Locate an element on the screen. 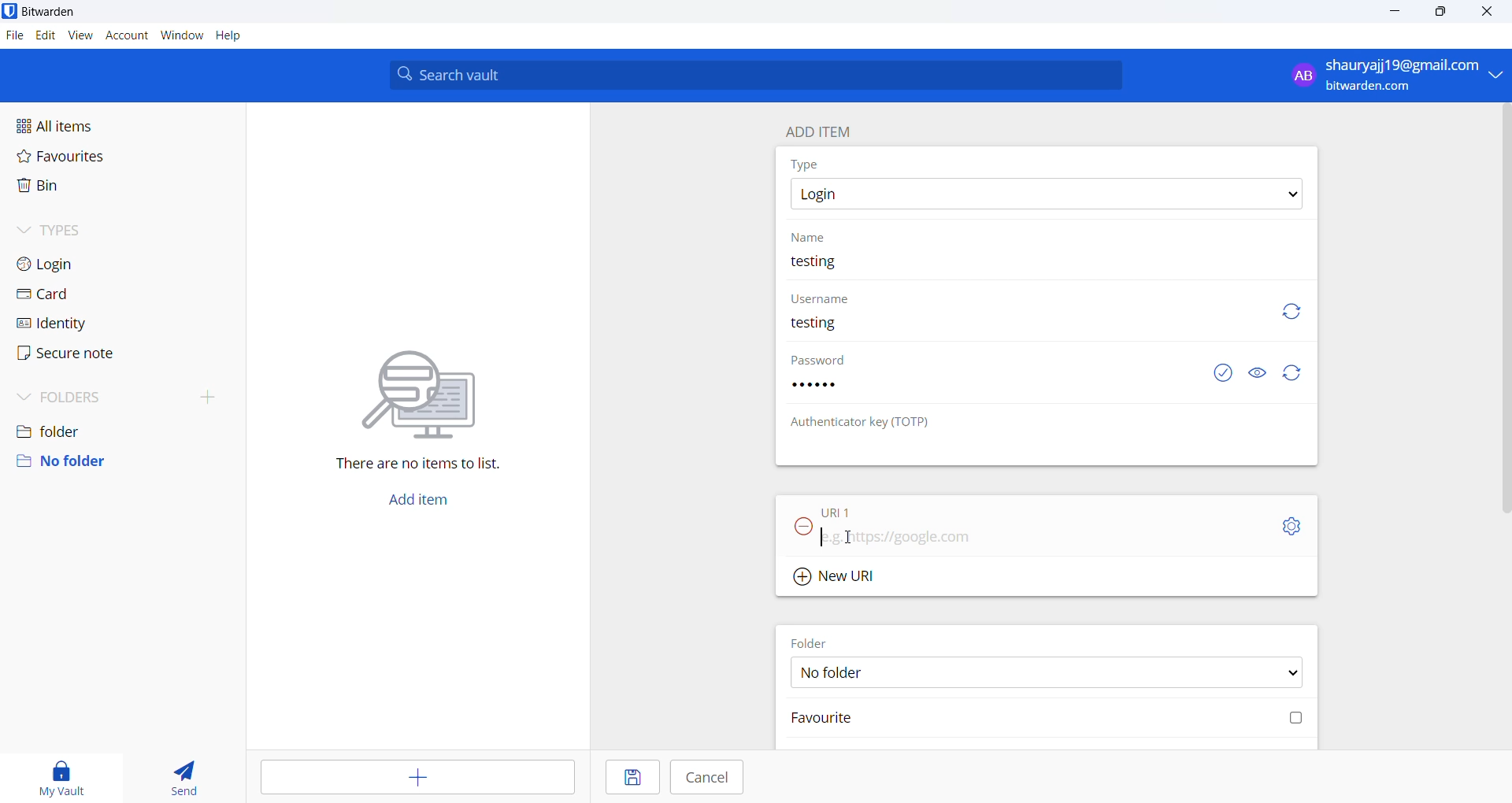 The image size is (1512, 803). search bar is located at coordinates (755, 74).